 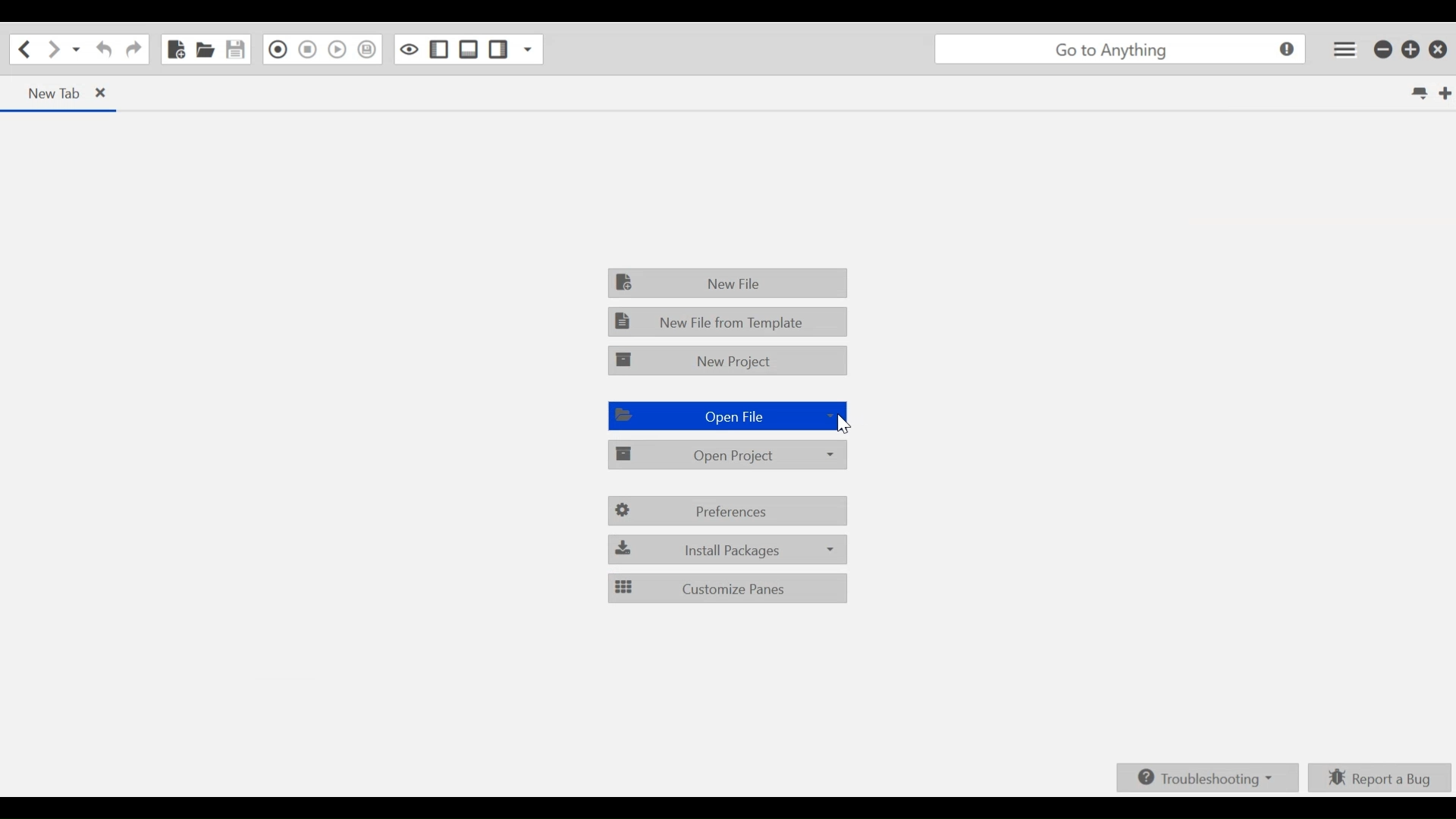 I want to click on Install packages, so click(x=726, y=550).